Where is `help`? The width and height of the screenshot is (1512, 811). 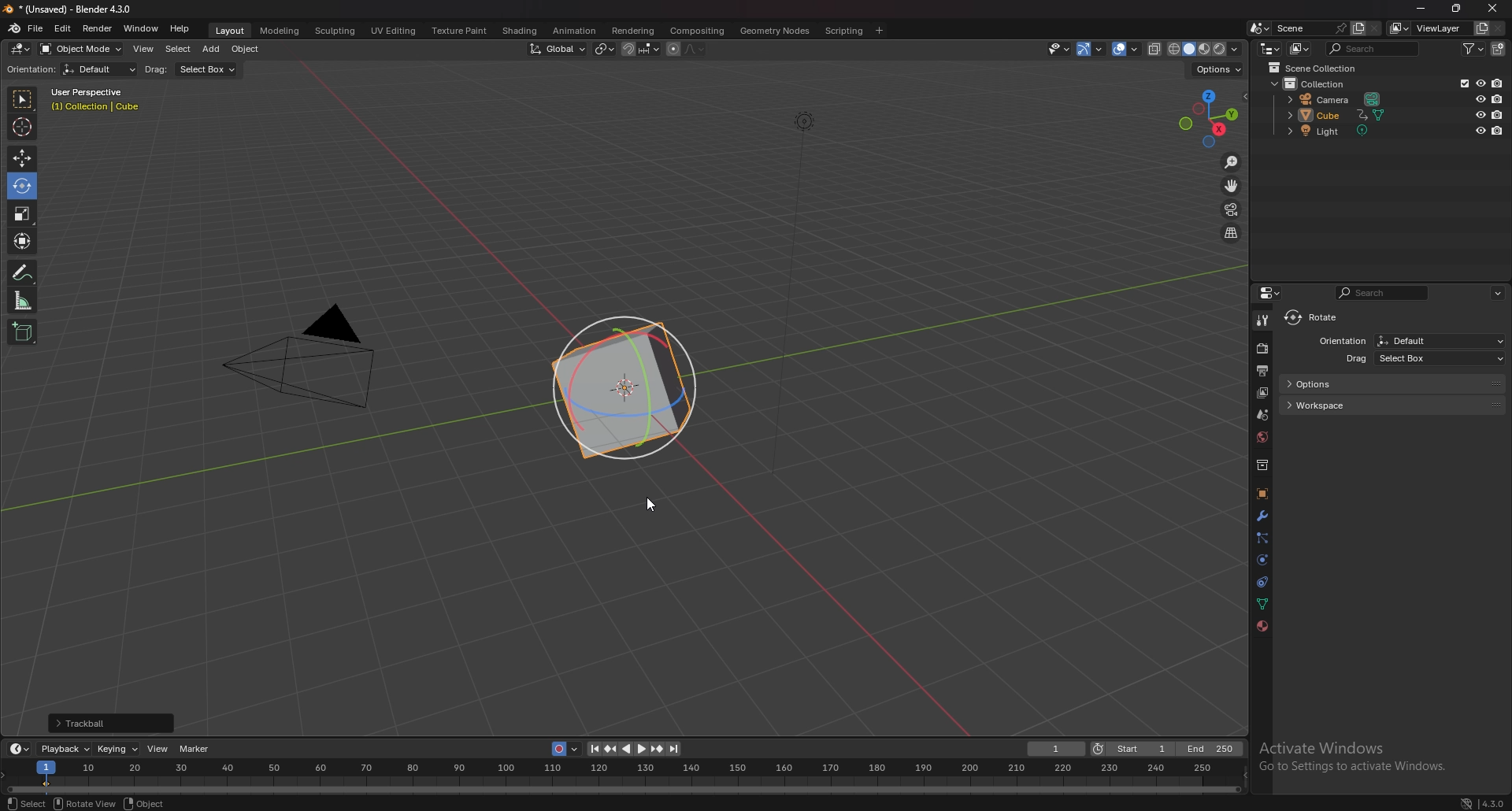
help is located at coordinates (181, 29).